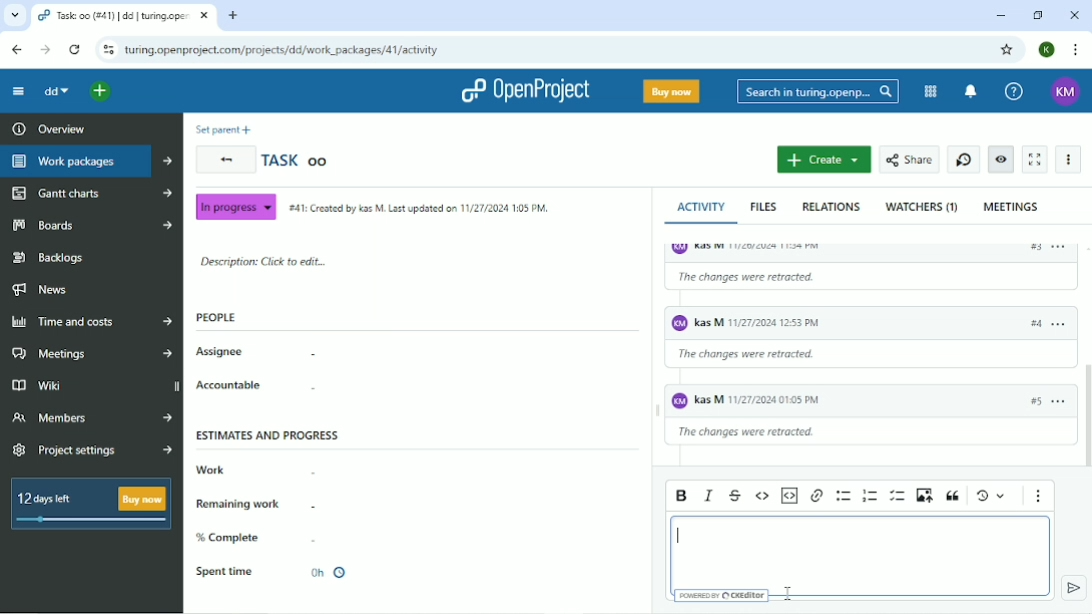 Image resolution: width=1092 pixels, height=614 pixels. Describe the element at coordinates (734, 497) in the screenshot. I see `Strikethrough` at that location.